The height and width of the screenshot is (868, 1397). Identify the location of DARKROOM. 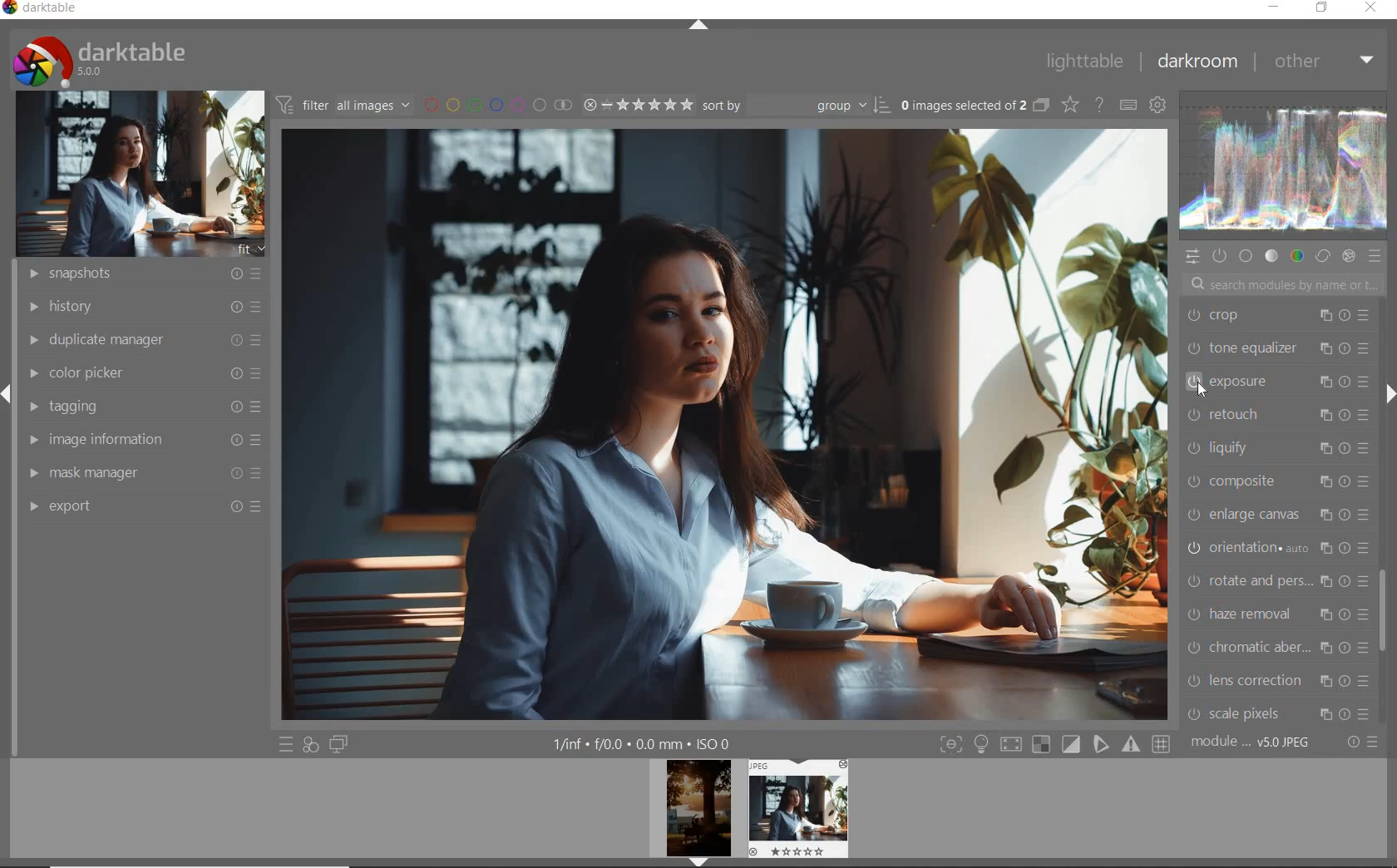
(1199, 61).